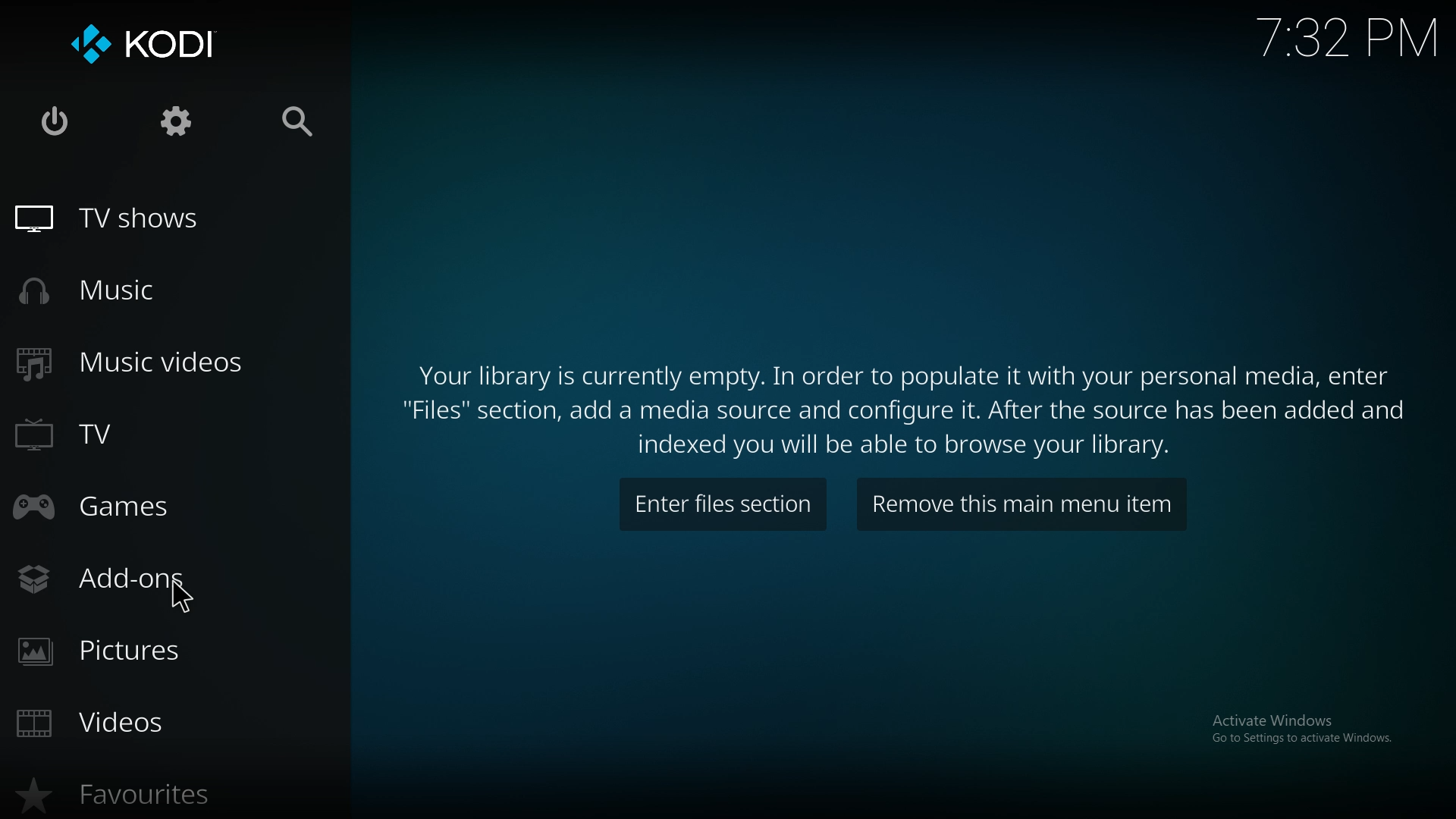 This screenshot has width=1456, height=819. I want to click on remove item, so click(1025, 506).